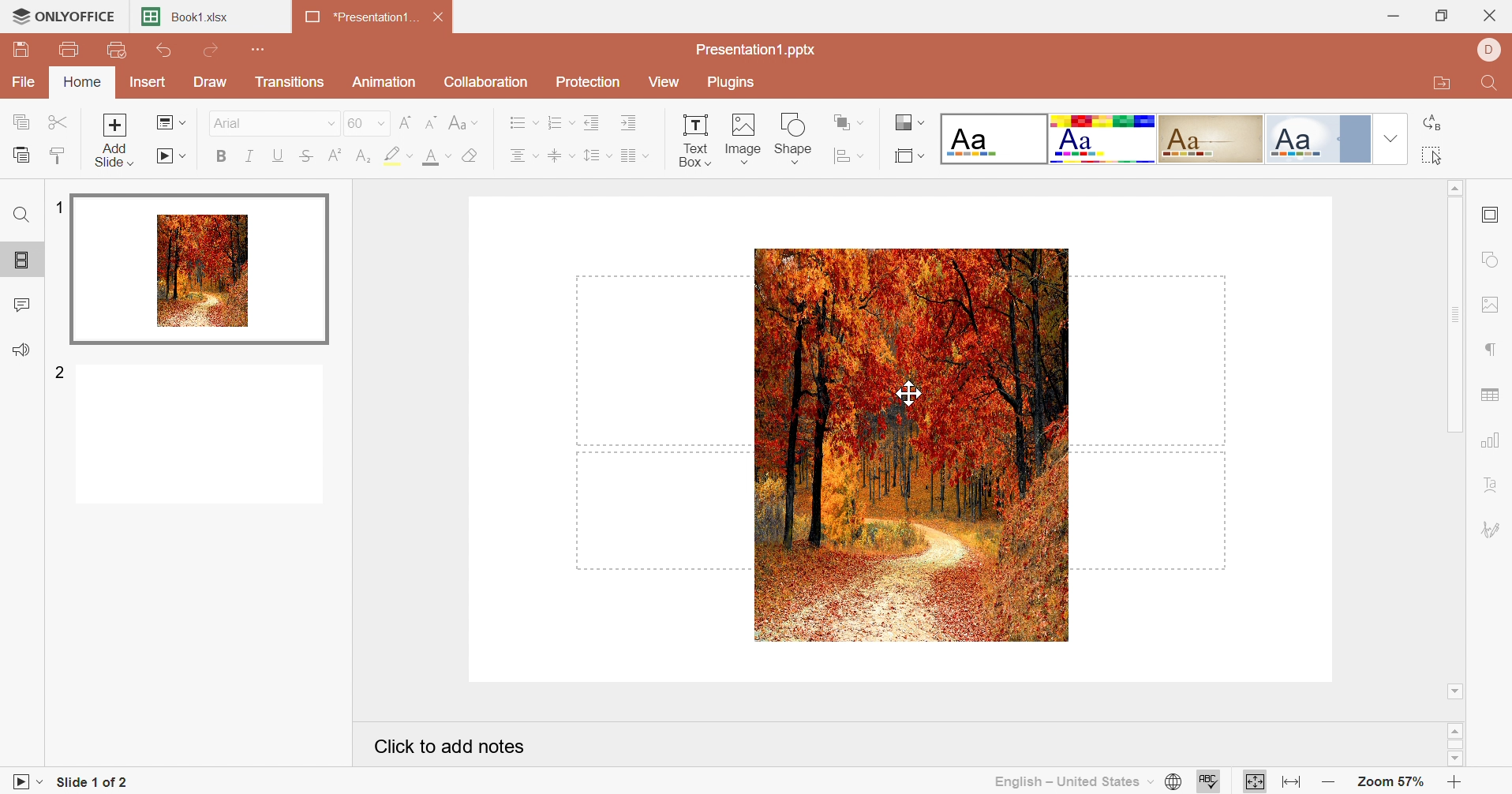  Describe the element at coordinates (1433, 121) in the screenshot. I see `Replace` at that location.